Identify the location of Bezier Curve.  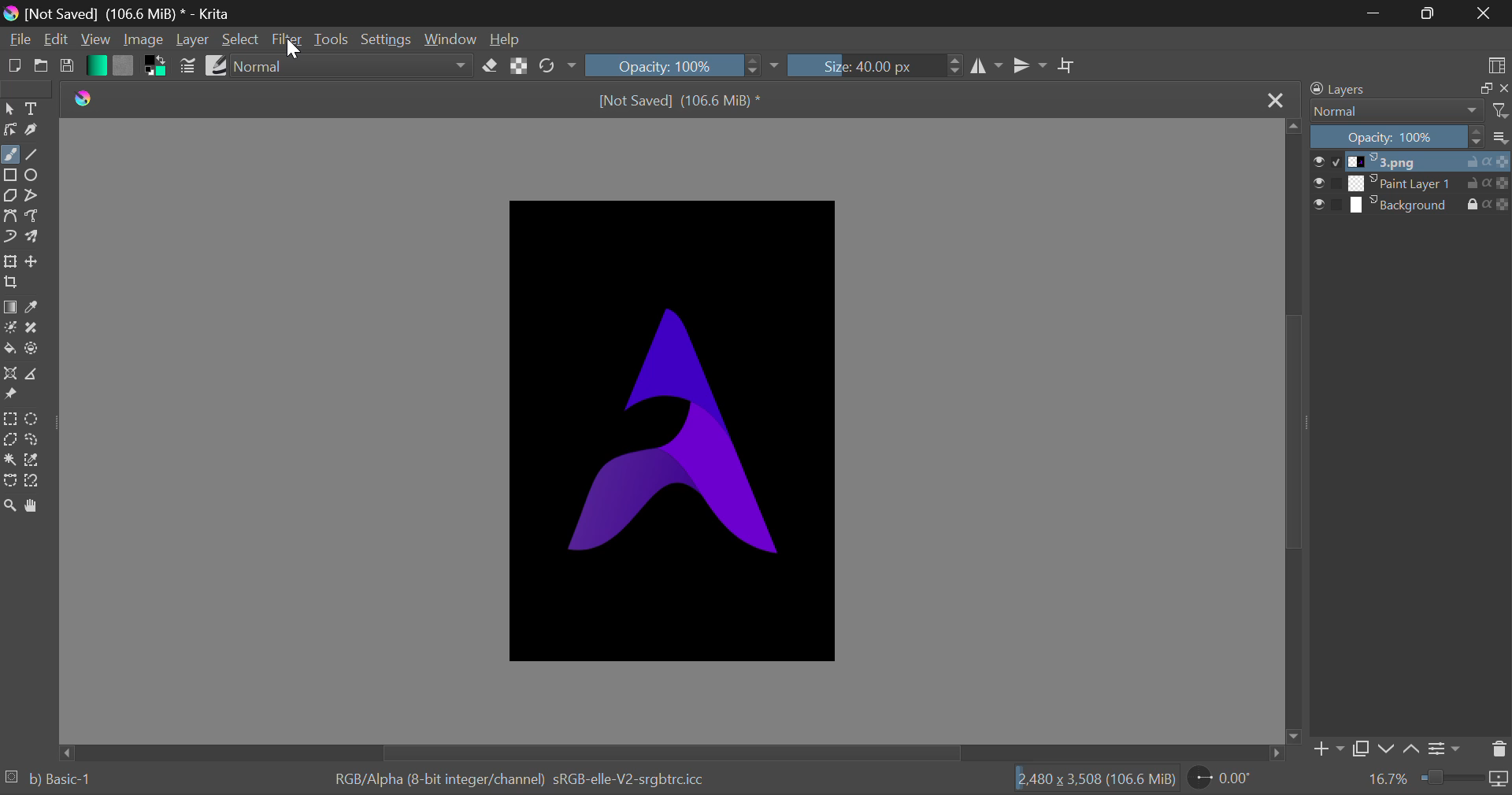
(13, 217).